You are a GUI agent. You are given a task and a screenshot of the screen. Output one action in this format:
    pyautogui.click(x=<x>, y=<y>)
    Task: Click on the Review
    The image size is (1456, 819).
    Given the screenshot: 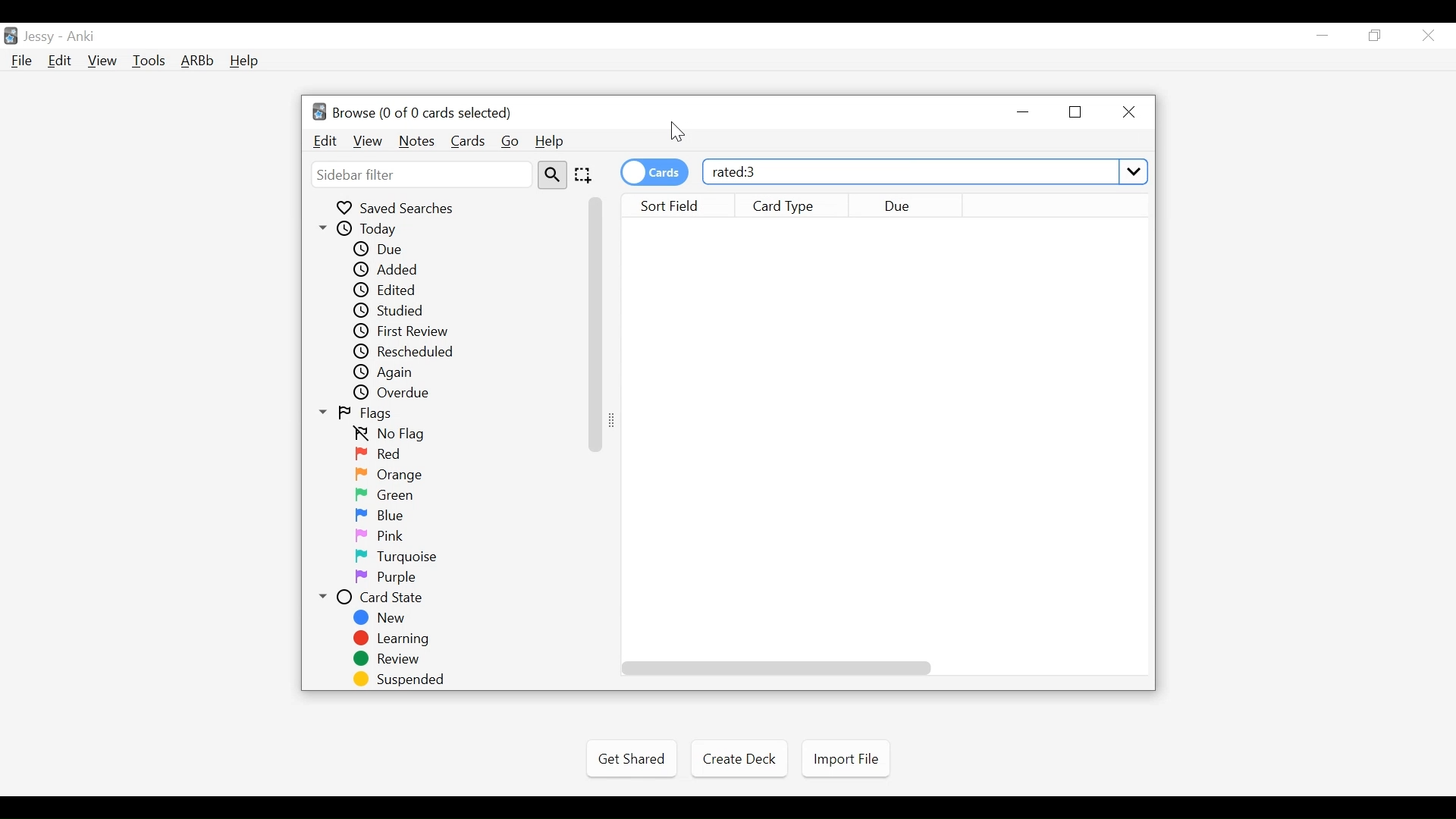 What is the action you would take?
    pyautogui.click(x=391, y=660)
    